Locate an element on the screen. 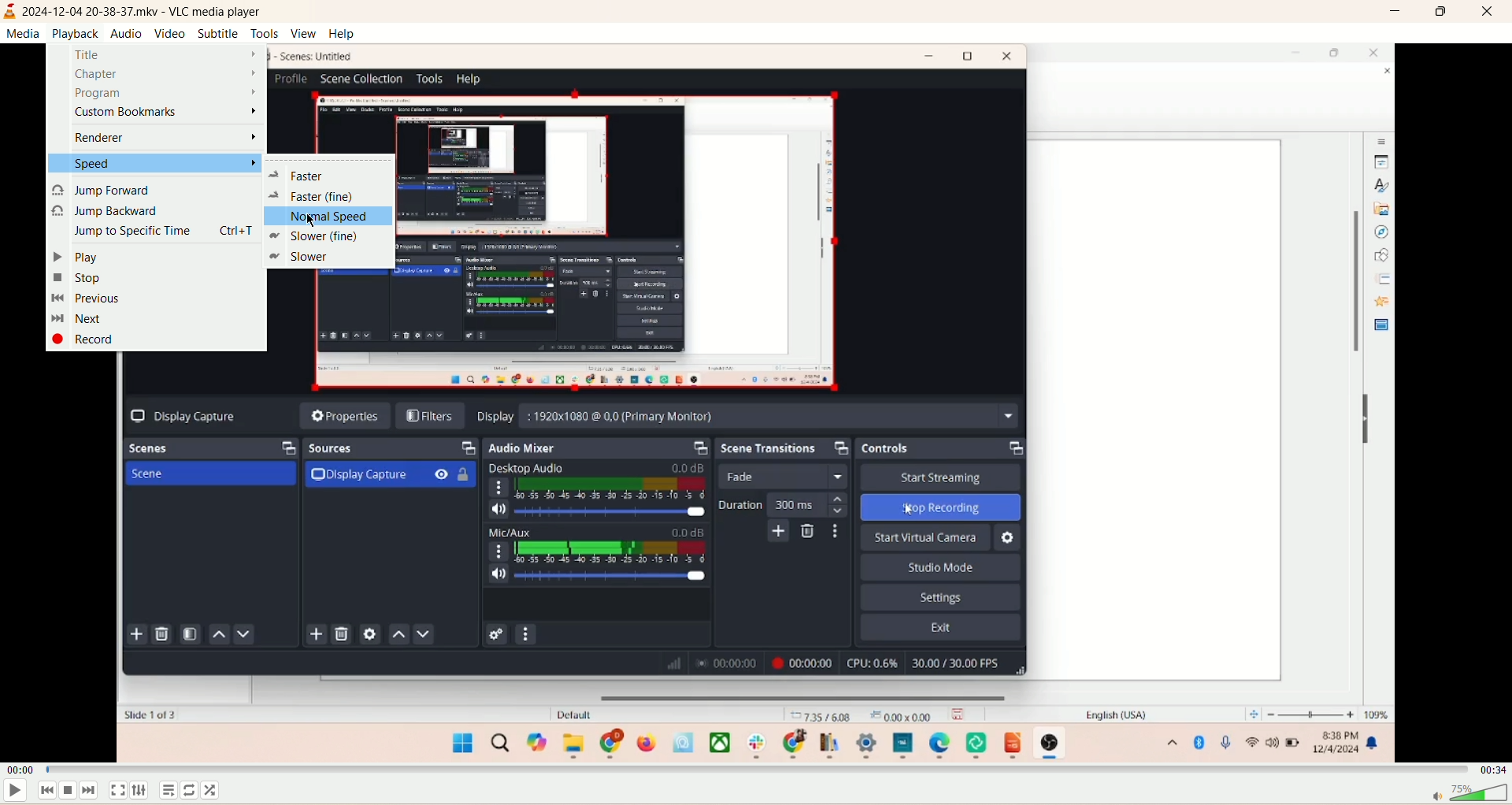 Image resolution: width=1512 pixels, height=805 pixels. chapter is located at coordinates (166, 74).